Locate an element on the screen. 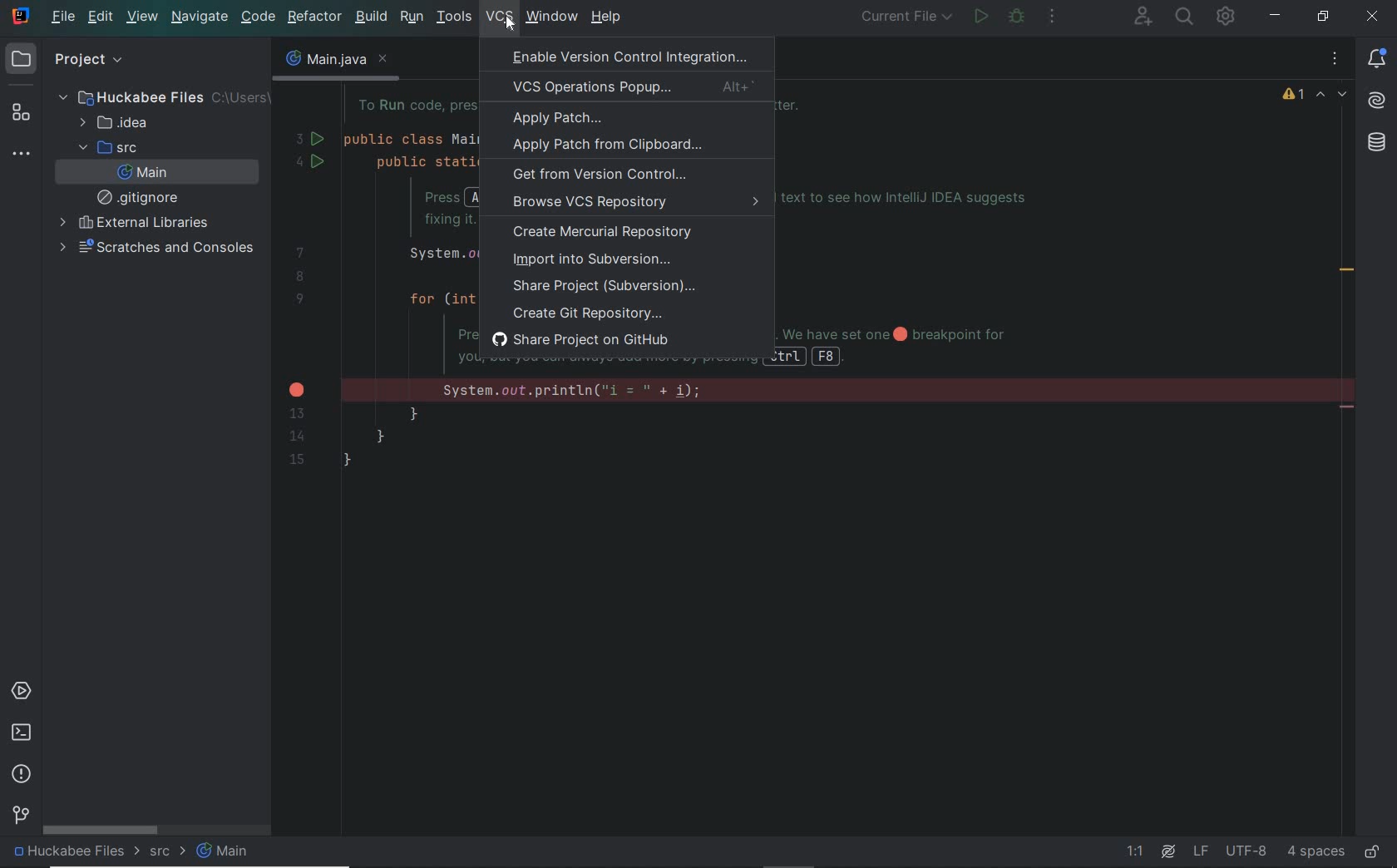 The image size is (1397, 868). terminal is located at coordinates (22, 732).